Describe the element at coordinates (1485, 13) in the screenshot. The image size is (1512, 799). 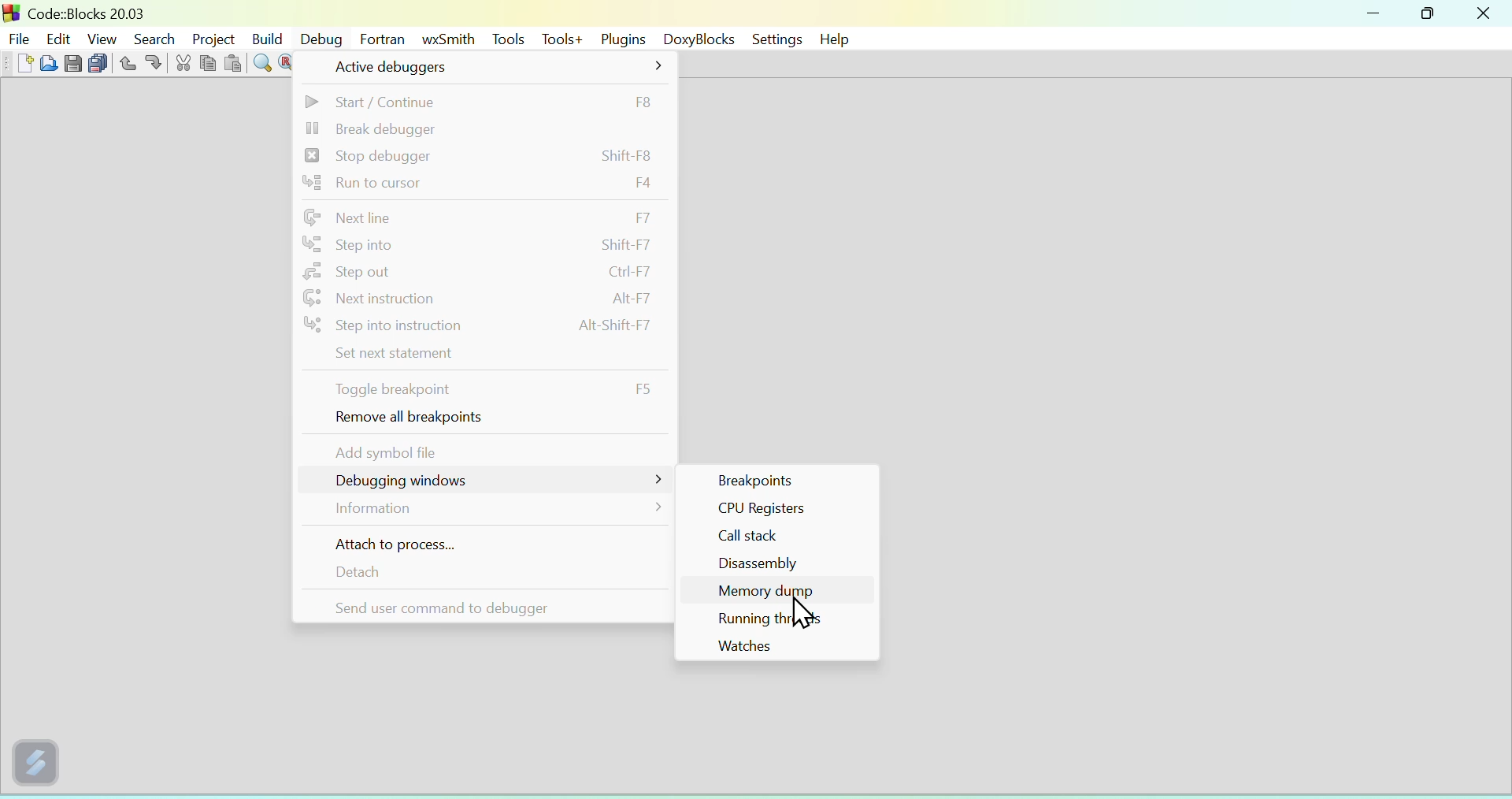
I see `close` at that location.